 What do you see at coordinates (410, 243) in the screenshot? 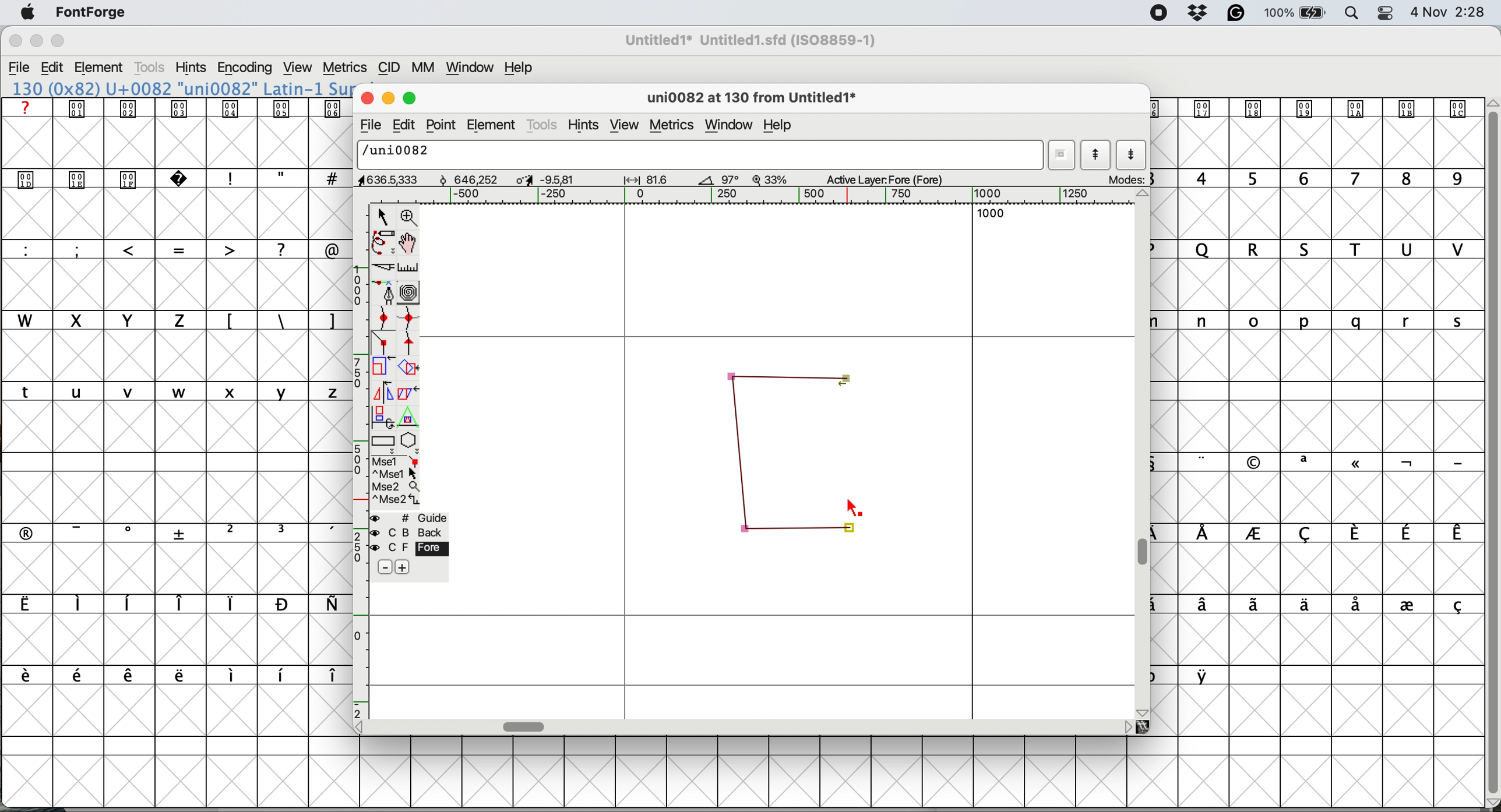
I see `scroll by hand` at bounding box center [410, 243].